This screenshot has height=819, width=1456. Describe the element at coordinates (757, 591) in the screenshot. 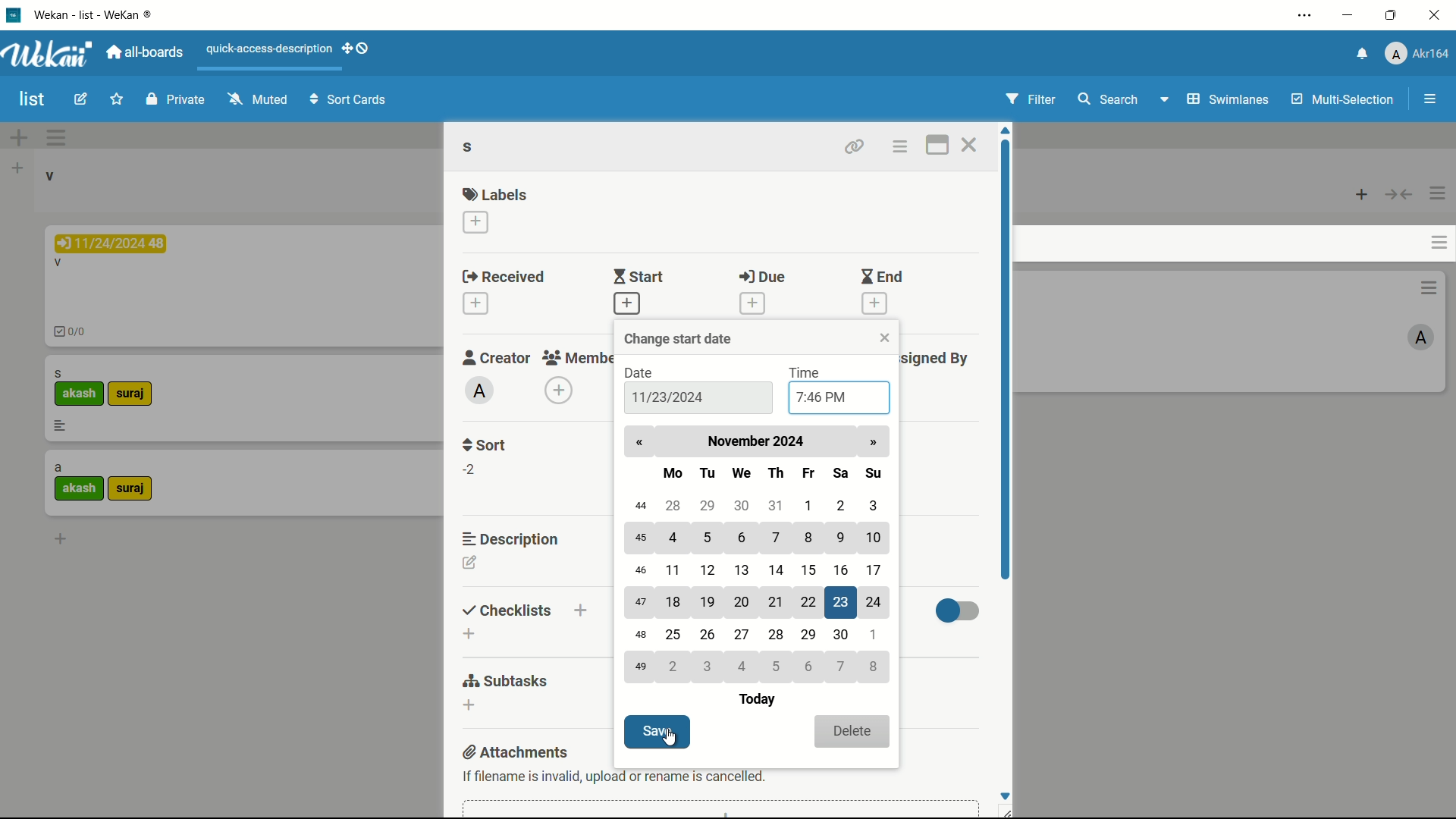

I see `dates` at that location.